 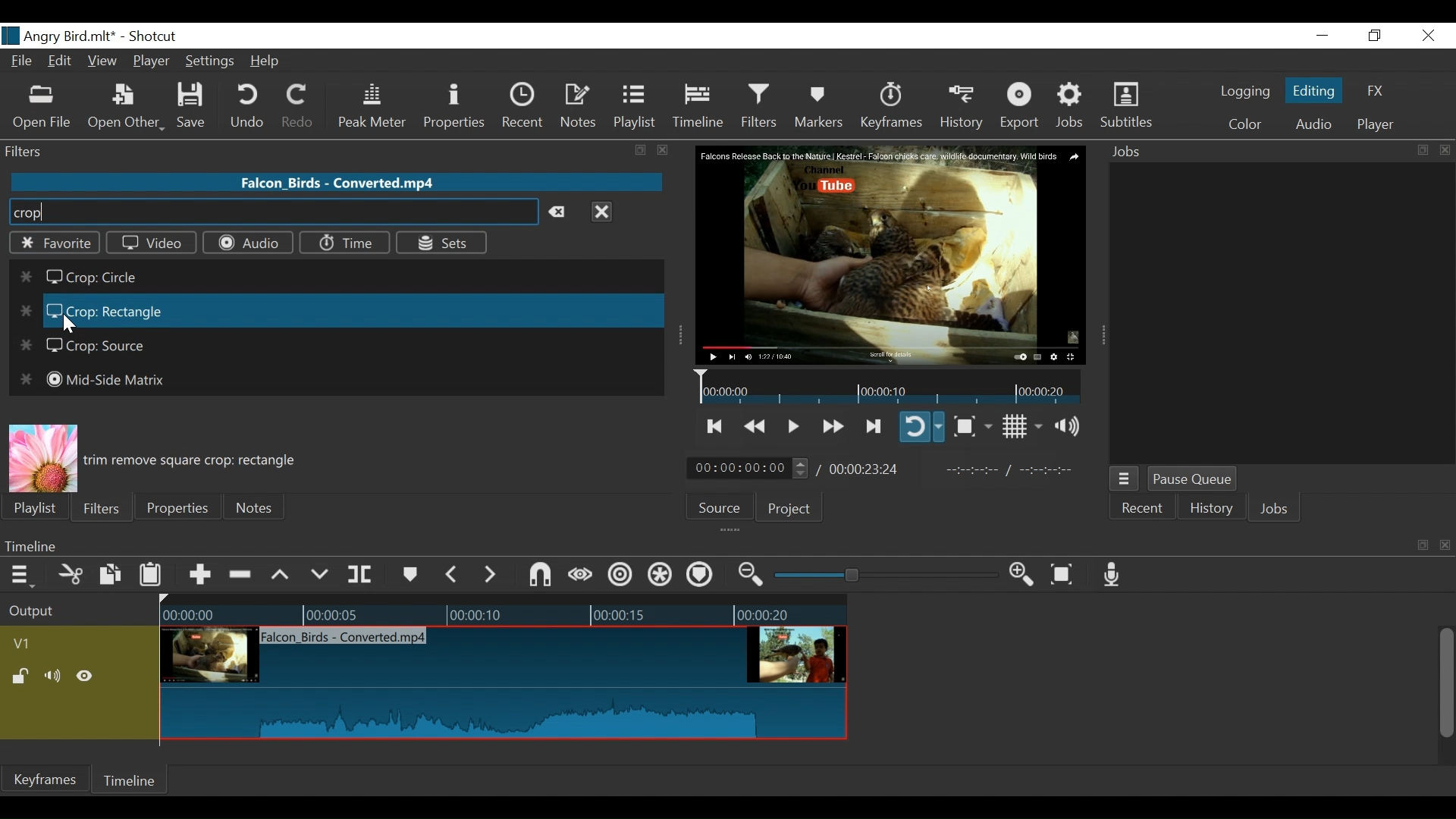 What do you see at coordinates (1112, 574) in the screenshot?
I see `Record audio` at bounding box center [1112, 574].